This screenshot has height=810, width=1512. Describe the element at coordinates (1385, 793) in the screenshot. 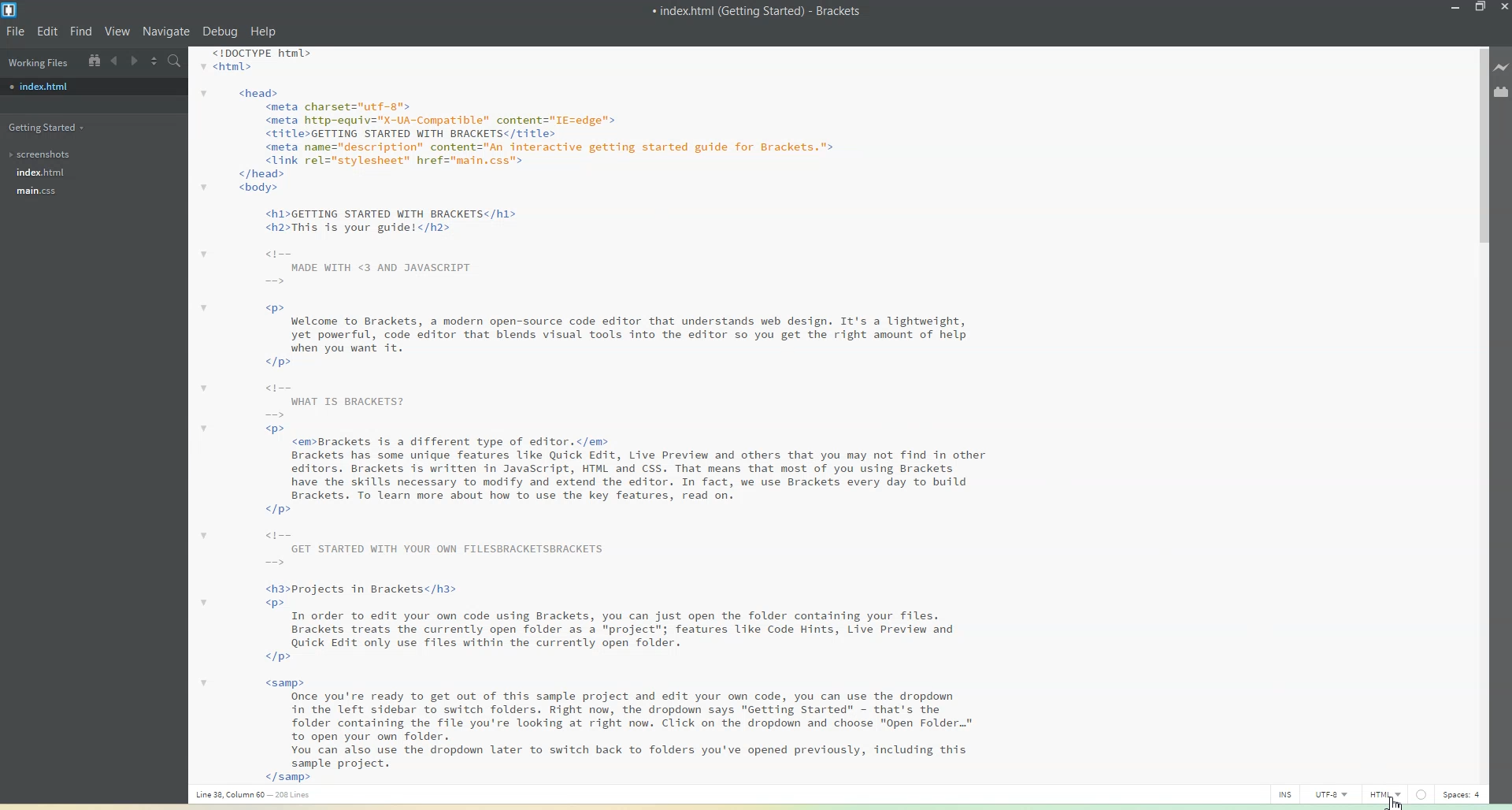

I see `HTML` at that location.